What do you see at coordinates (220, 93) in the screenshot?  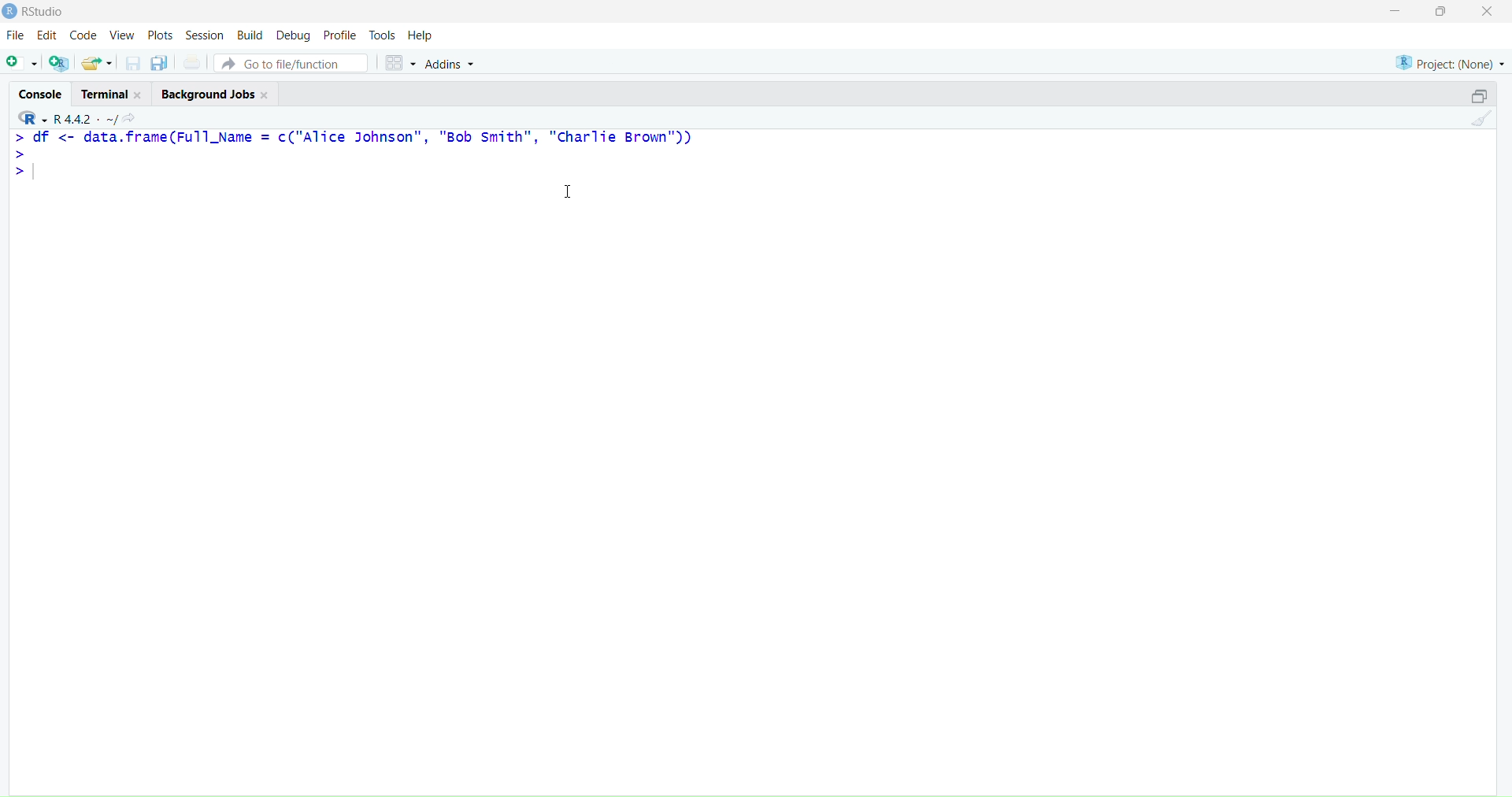 I see `Background Jobs` at bounding box center [220, 93].